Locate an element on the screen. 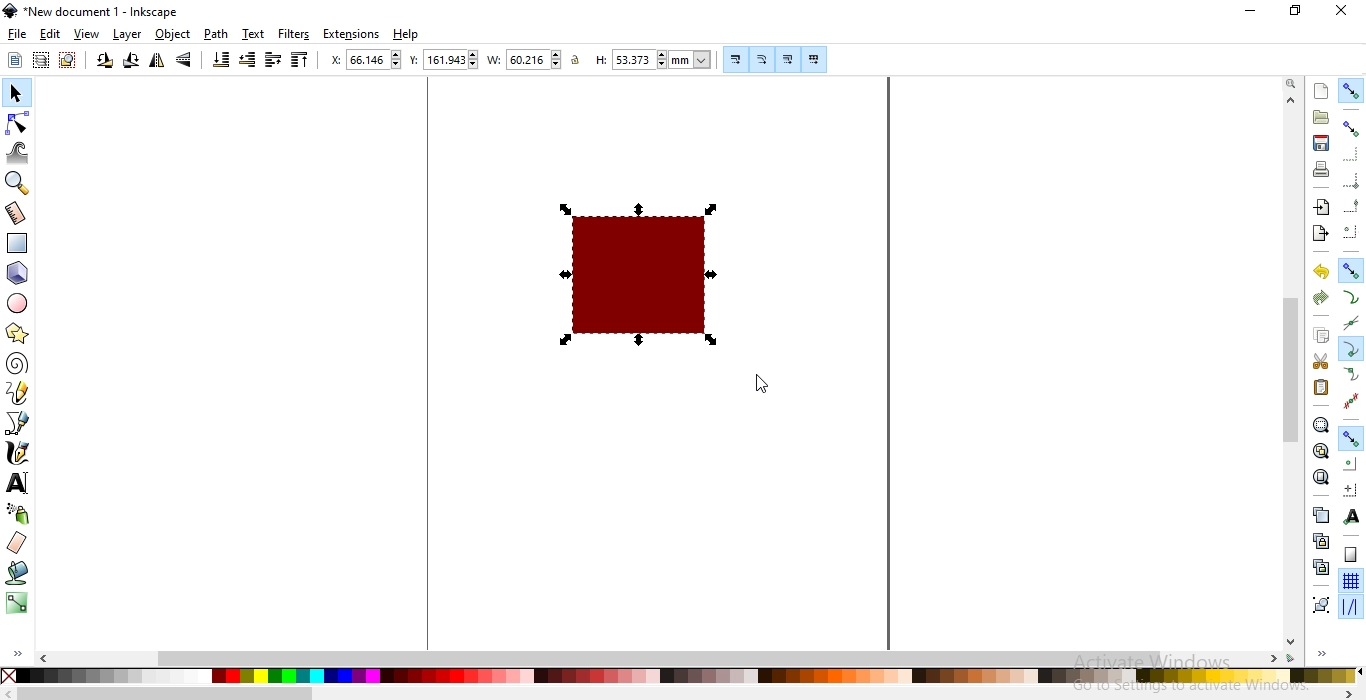 Image resolution: width=1366 pixels, height=700 pixels. path is located at coordinates (216, 34).